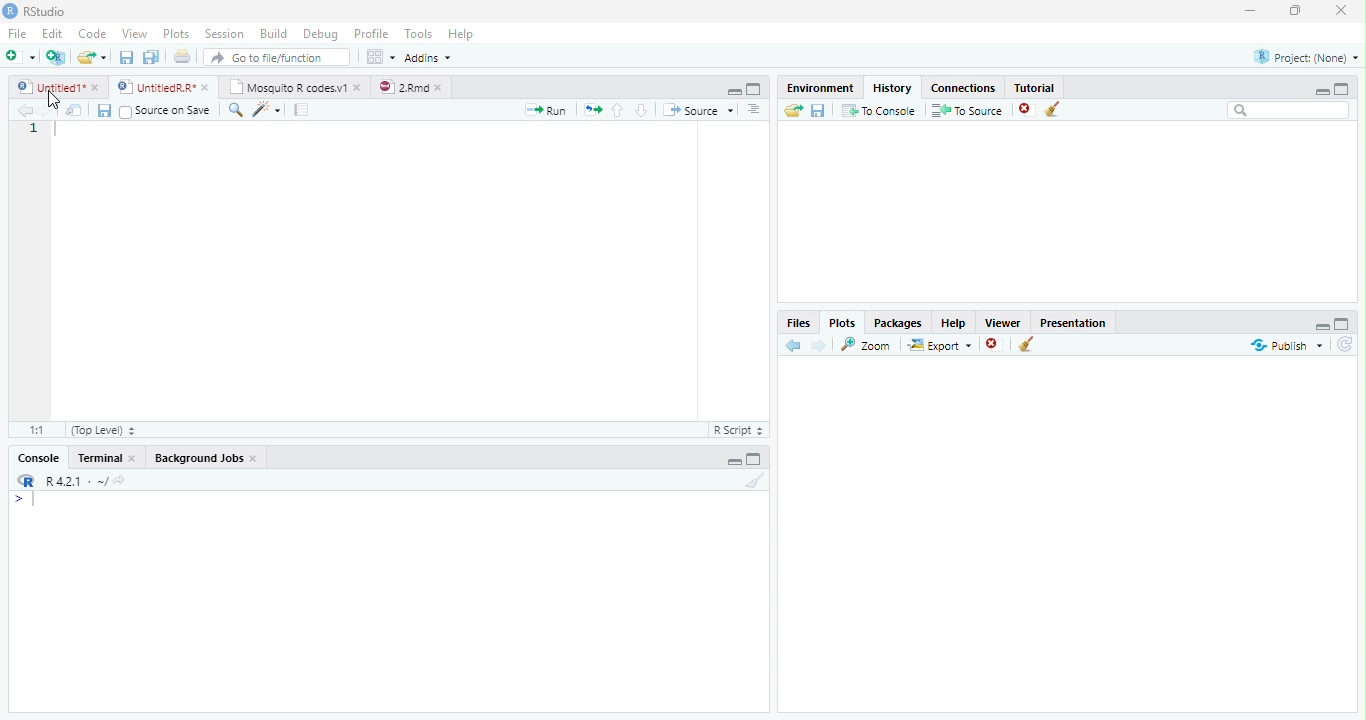  What do you see at coordinates (410, 87) in the screenshot?
I see `©) 28md` at bounding box center [410, 87].